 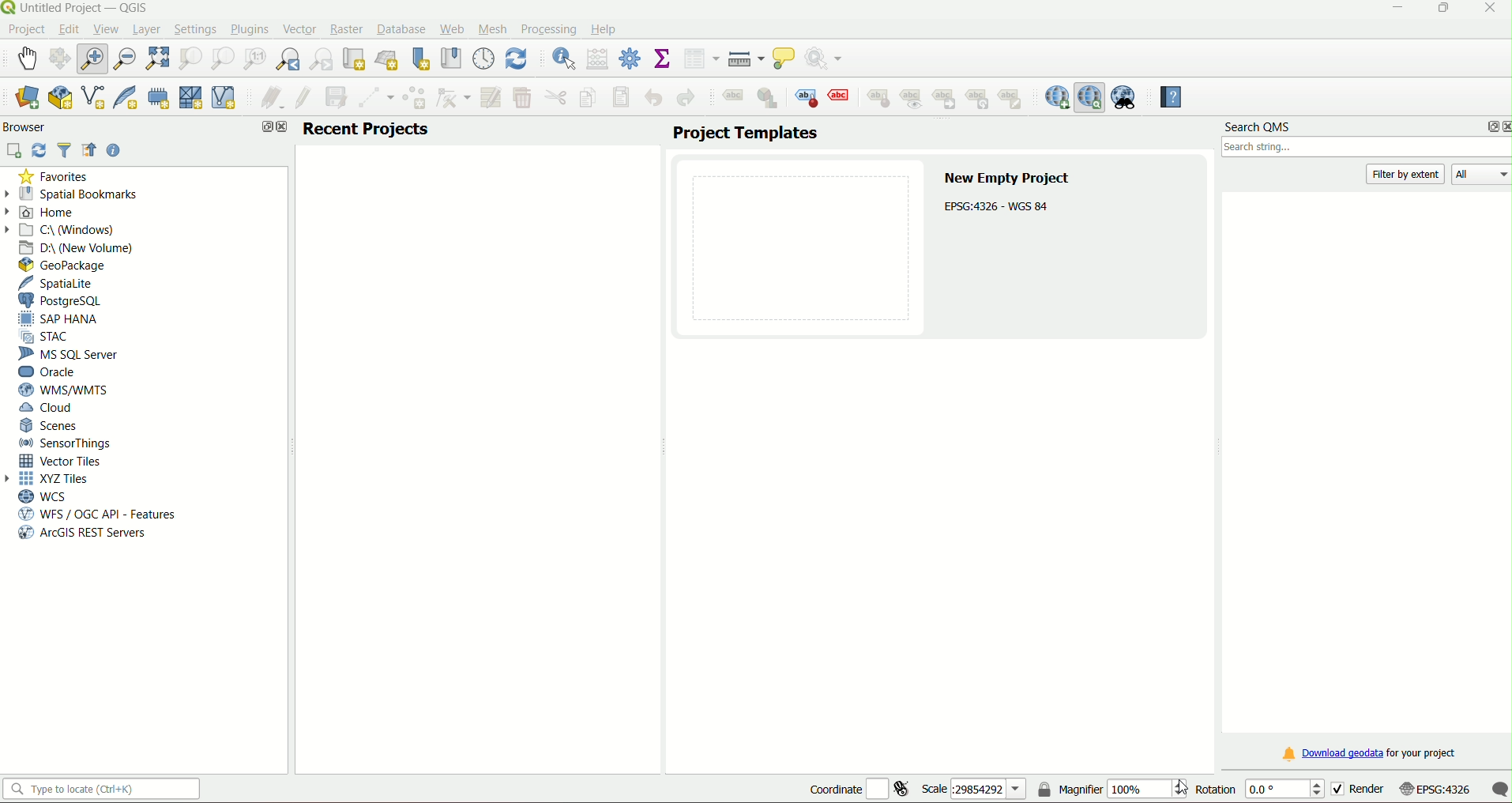 I want to click on pan map, so click(x=28, y=56).